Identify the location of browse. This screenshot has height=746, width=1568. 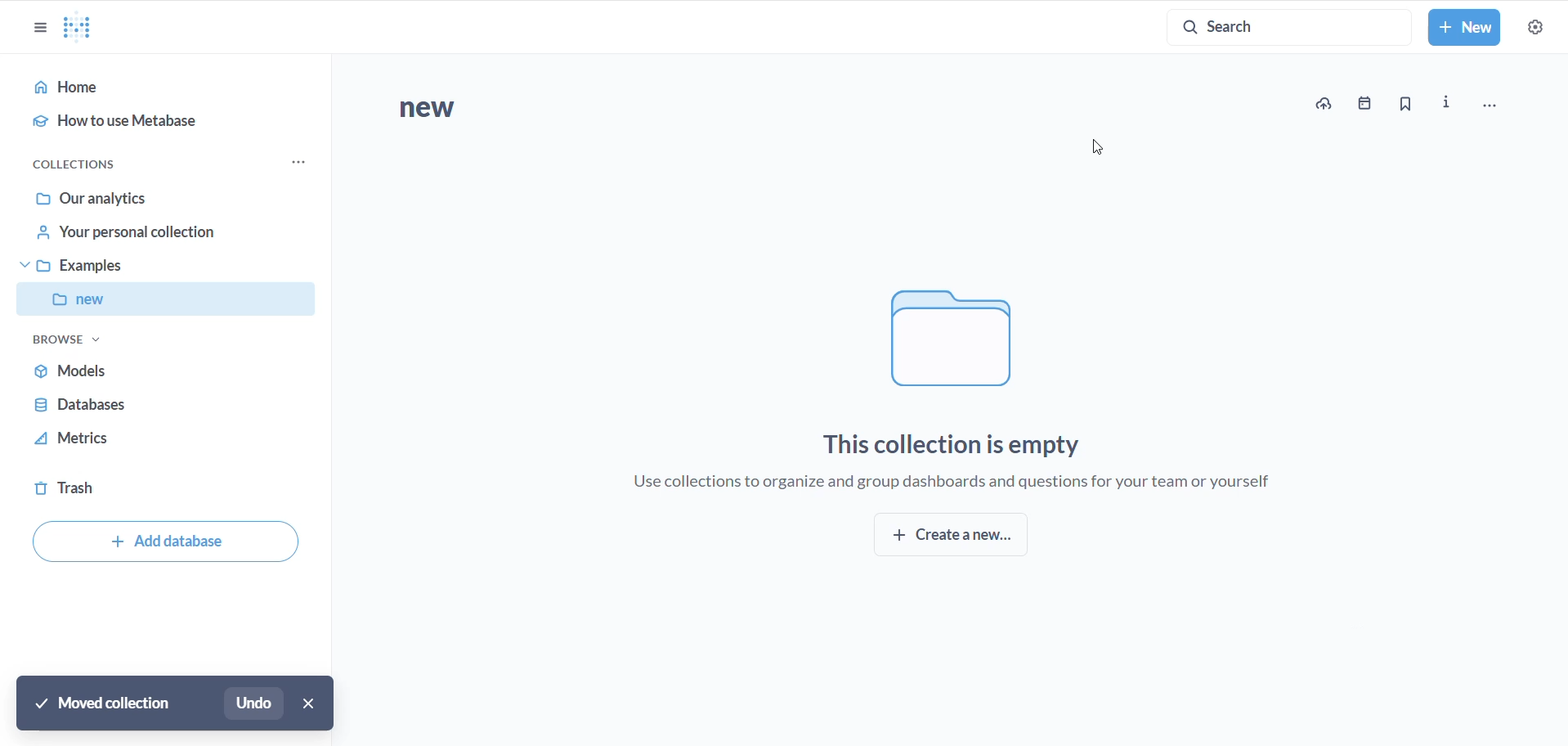
(68, 344).